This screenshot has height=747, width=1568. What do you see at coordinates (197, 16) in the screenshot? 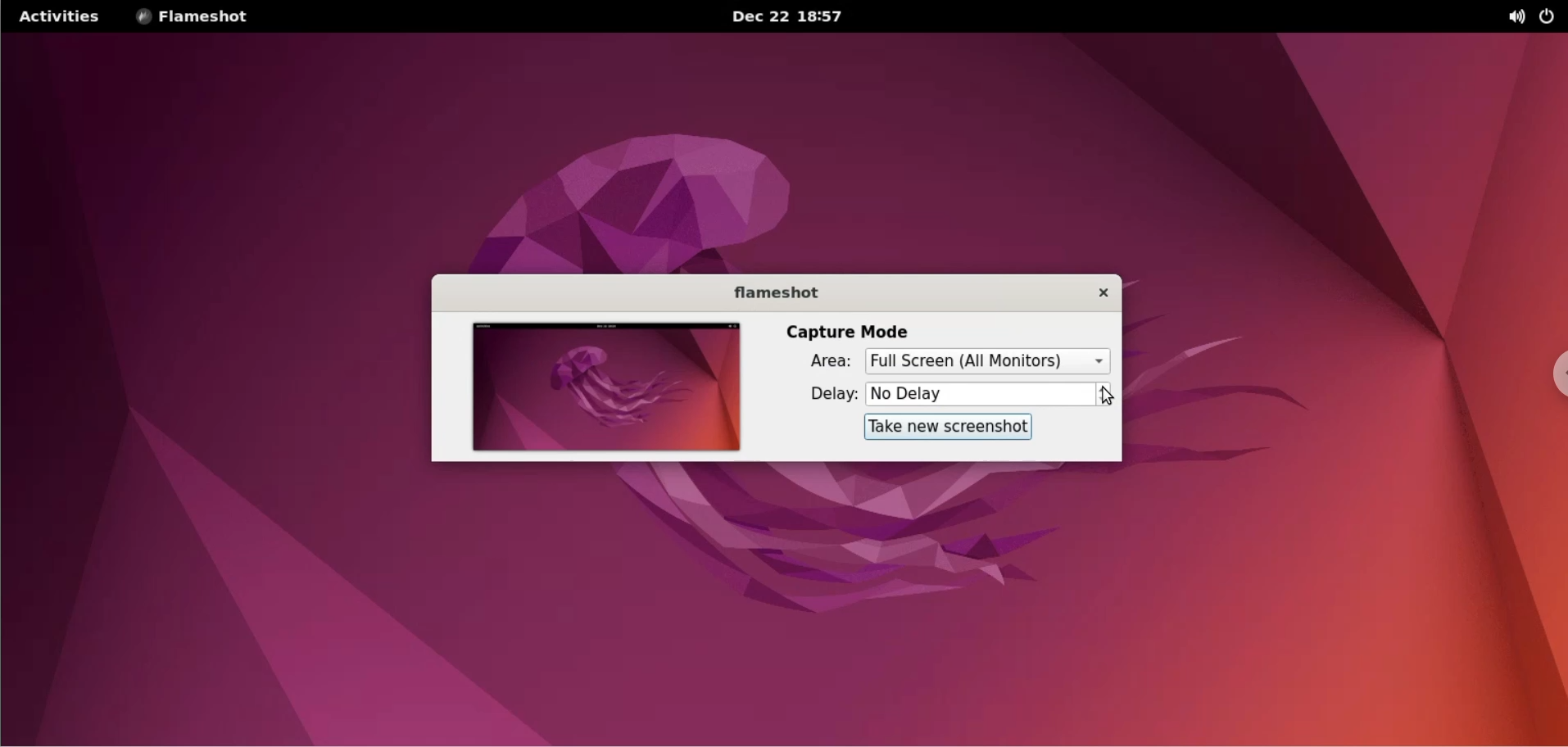
I see `flameshot options` at bounding box center [197, 16].